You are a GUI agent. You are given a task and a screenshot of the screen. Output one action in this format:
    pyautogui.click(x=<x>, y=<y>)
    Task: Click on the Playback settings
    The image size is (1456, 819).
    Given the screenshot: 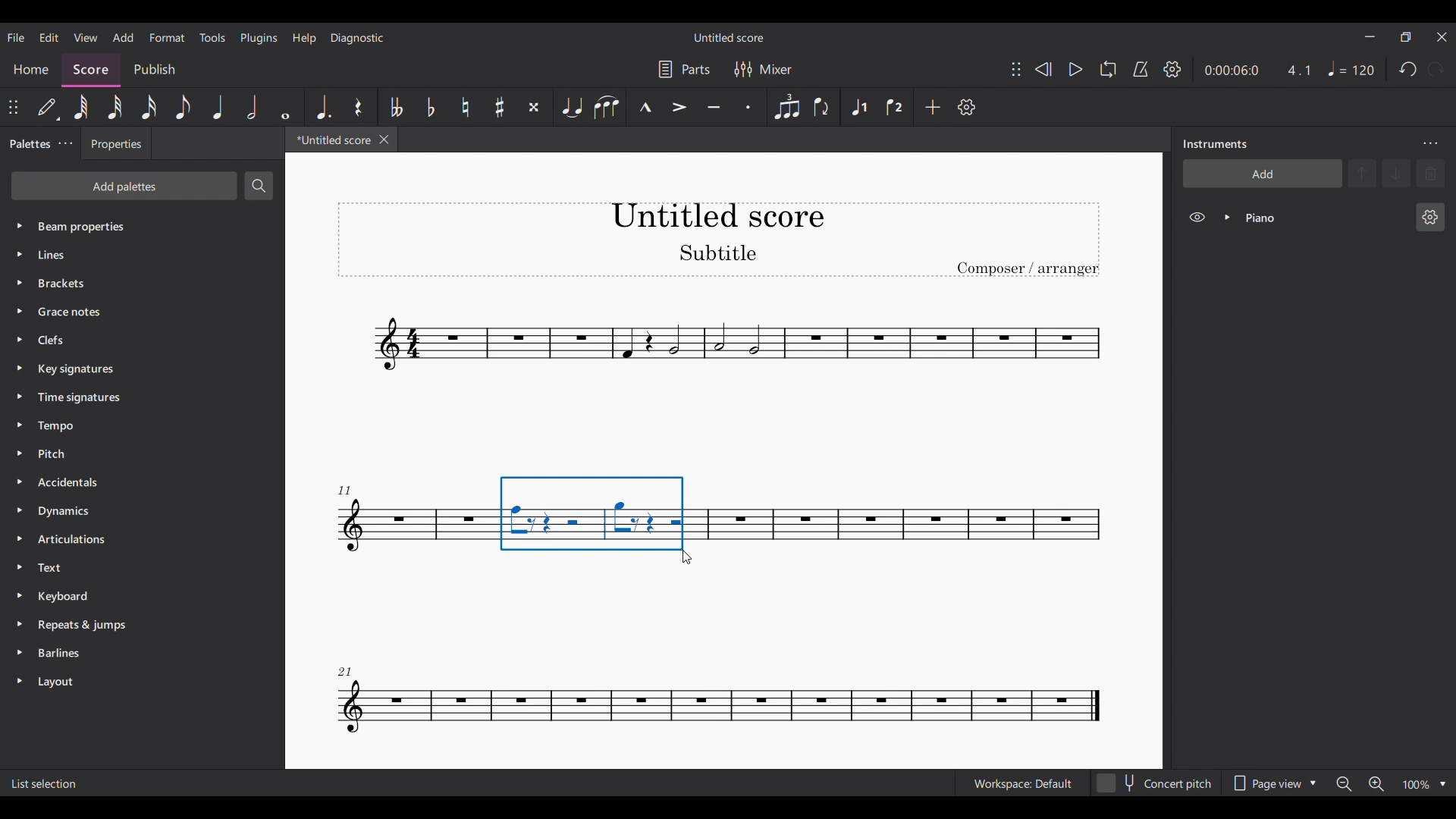 What is the action you would take?
    pyautogui.click(x=1172, y=69)
    